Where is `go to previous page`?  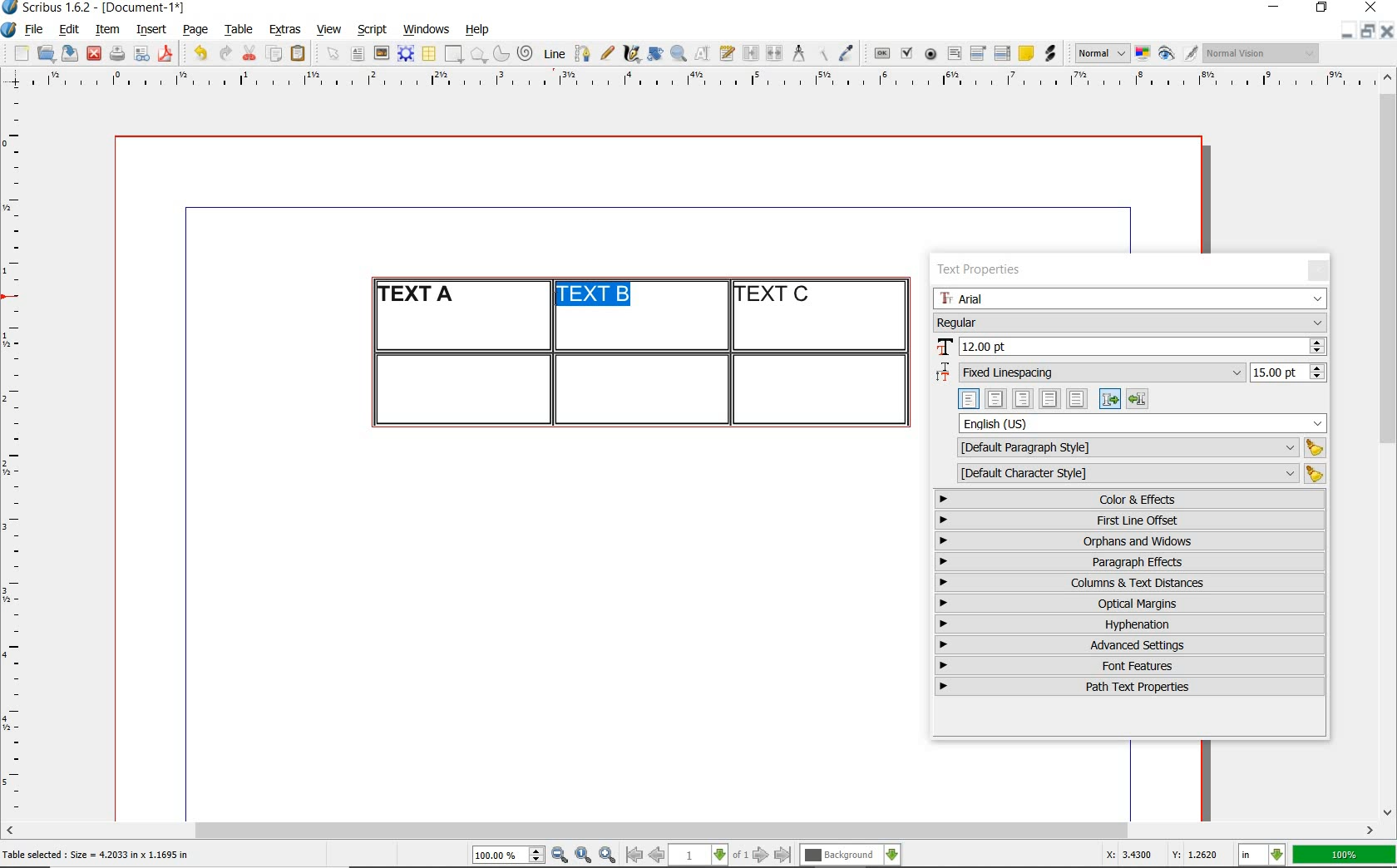
go to previous page is located at coordinates (656, 856).